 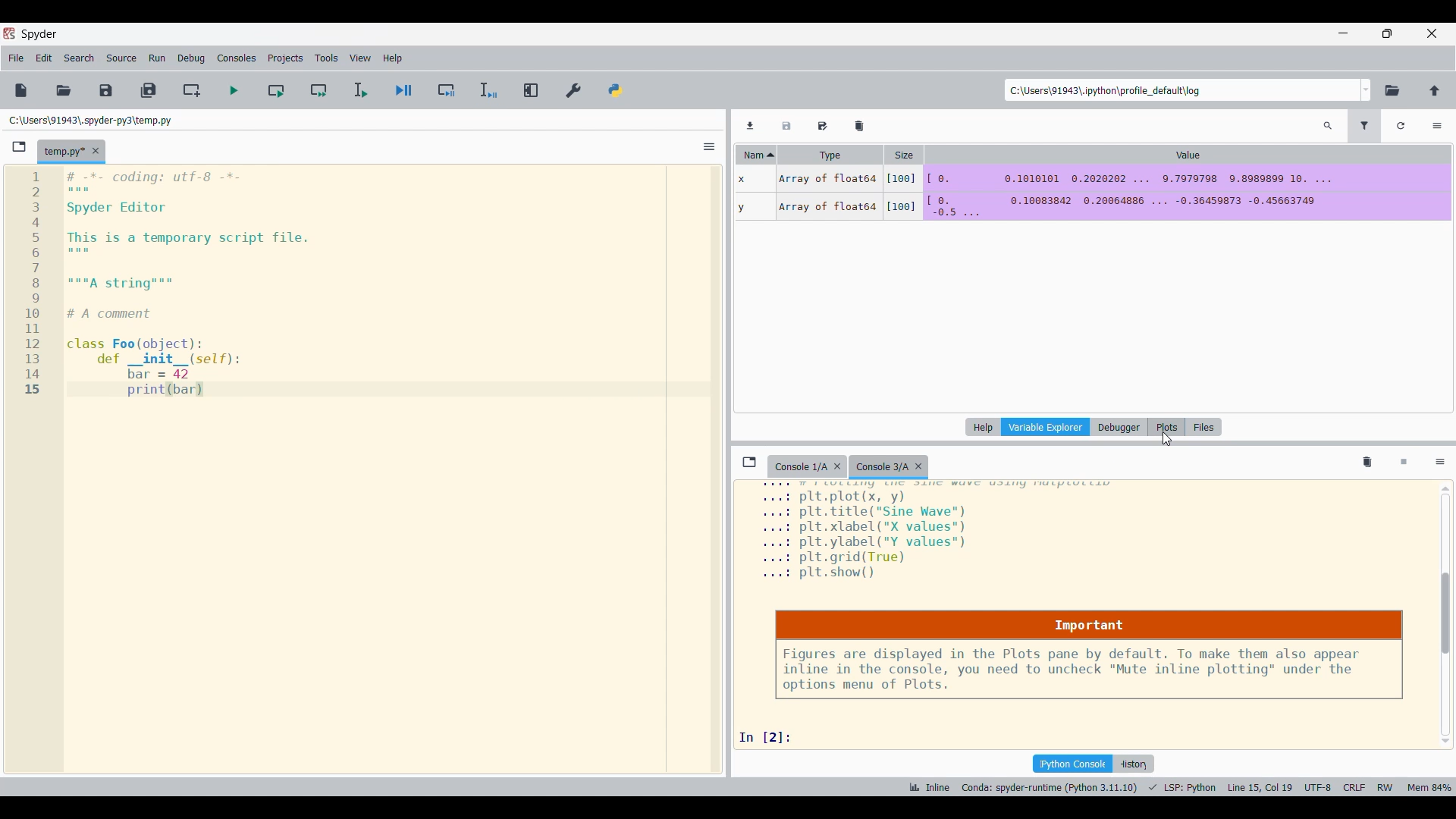 What do you see at coordinates (1091, 193) in the screenshot?
I see `DATA` at bounding box center [1091, 193].